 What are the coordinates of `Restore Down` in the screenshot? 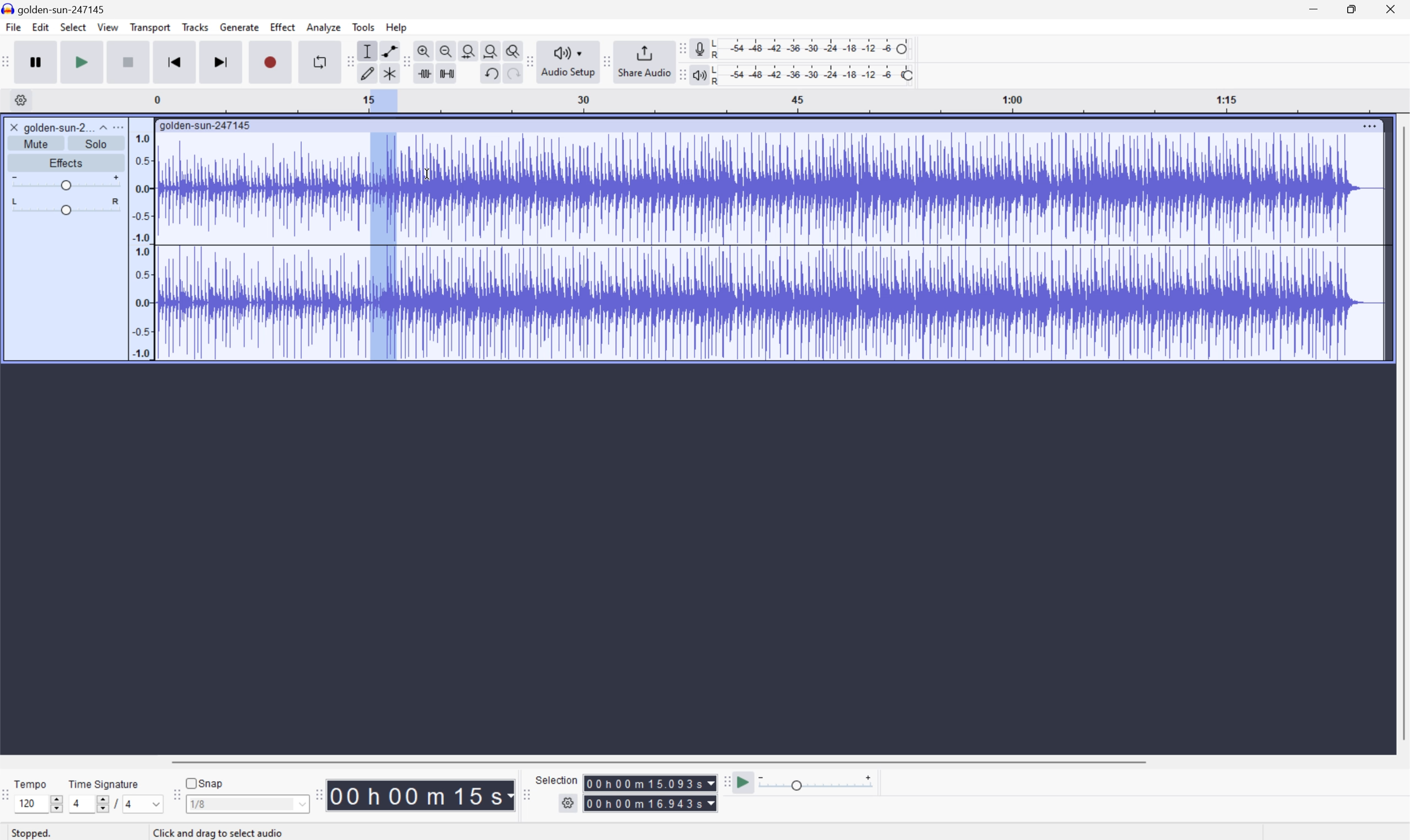 It's located at (1348, 8).